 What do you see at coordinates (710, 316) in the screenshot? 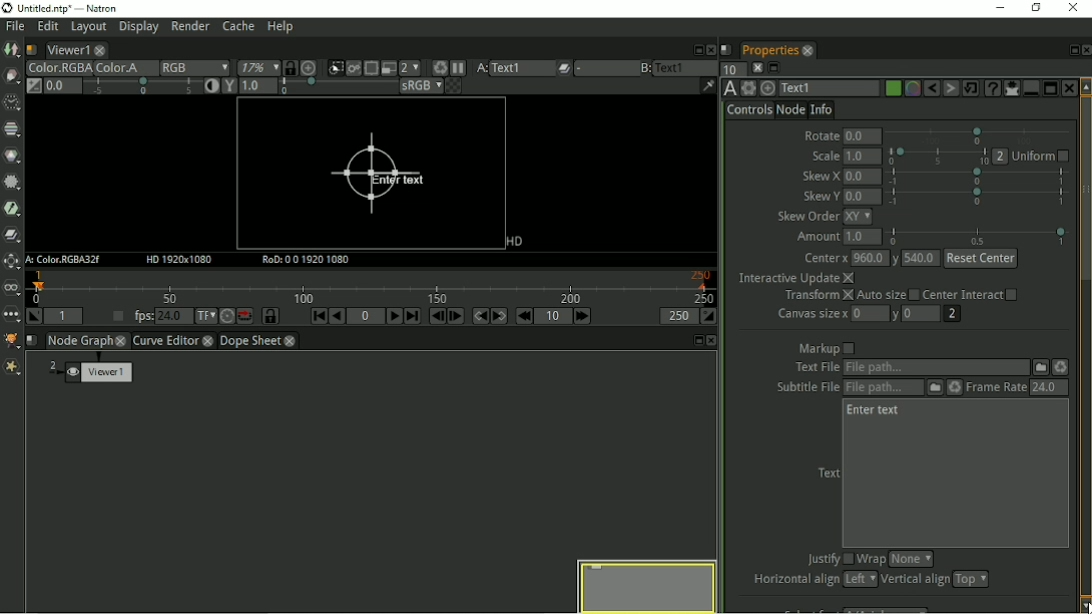
I see `Set the playback out point at the current frame` at bounding box center [710, 316].